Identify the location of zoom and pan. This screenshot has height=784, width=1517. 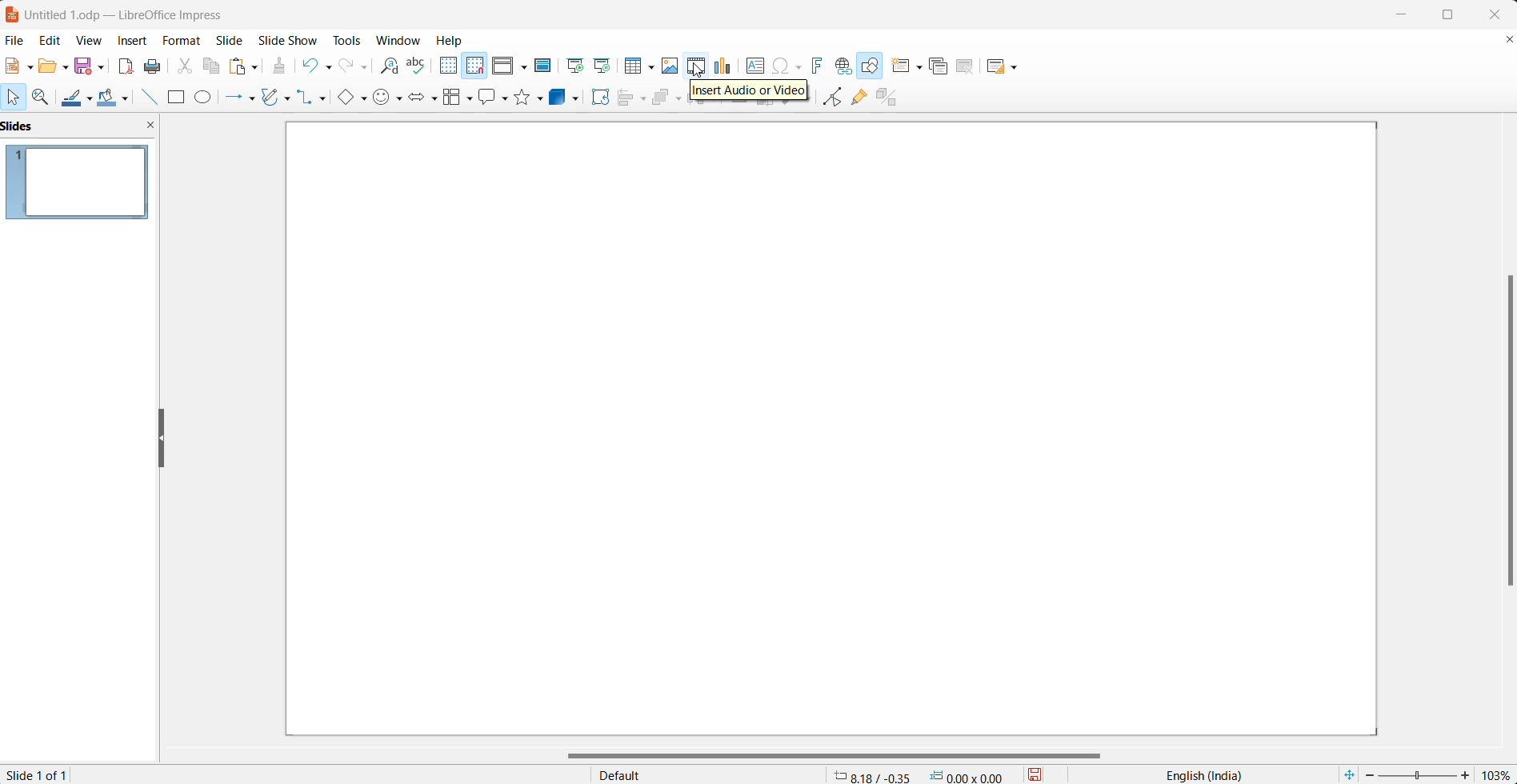
(42, 98).